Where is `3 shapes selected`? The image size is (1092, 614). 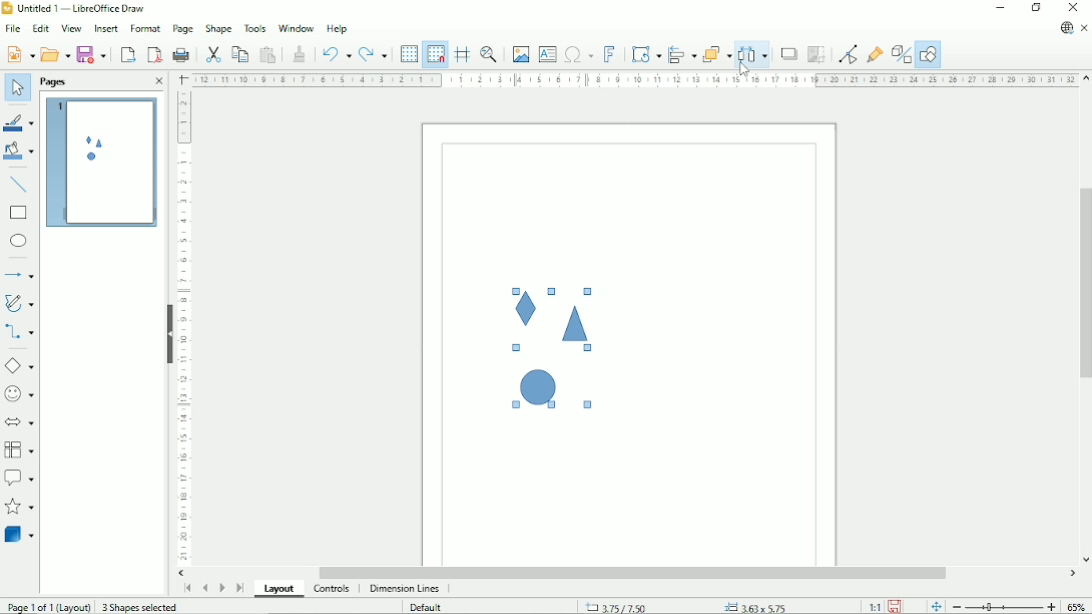 3 shapes selected is located at coordinates (142, 607).